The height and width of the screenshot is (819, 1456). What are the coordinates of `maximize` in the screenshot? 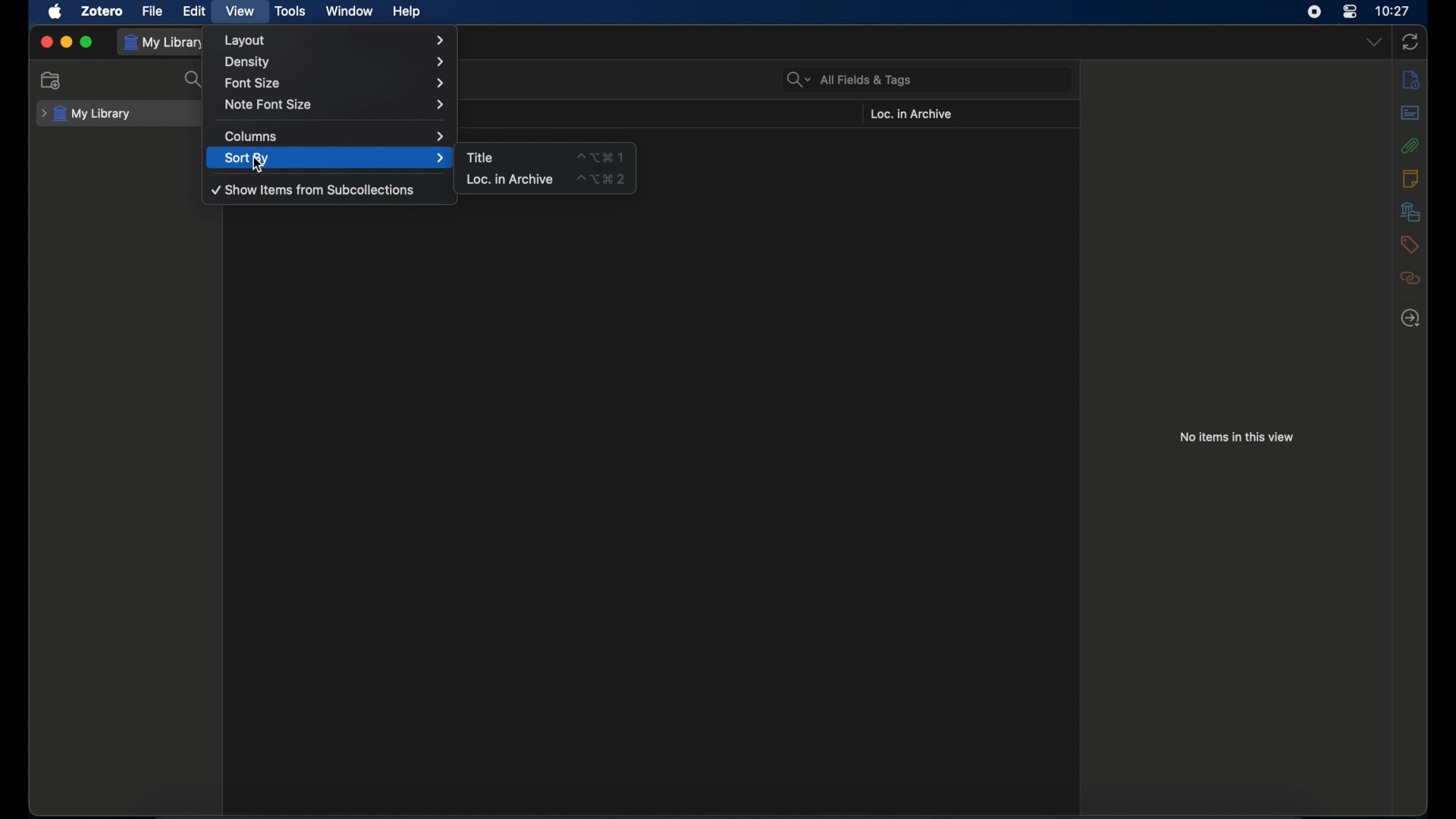 It's located at (87, 42).